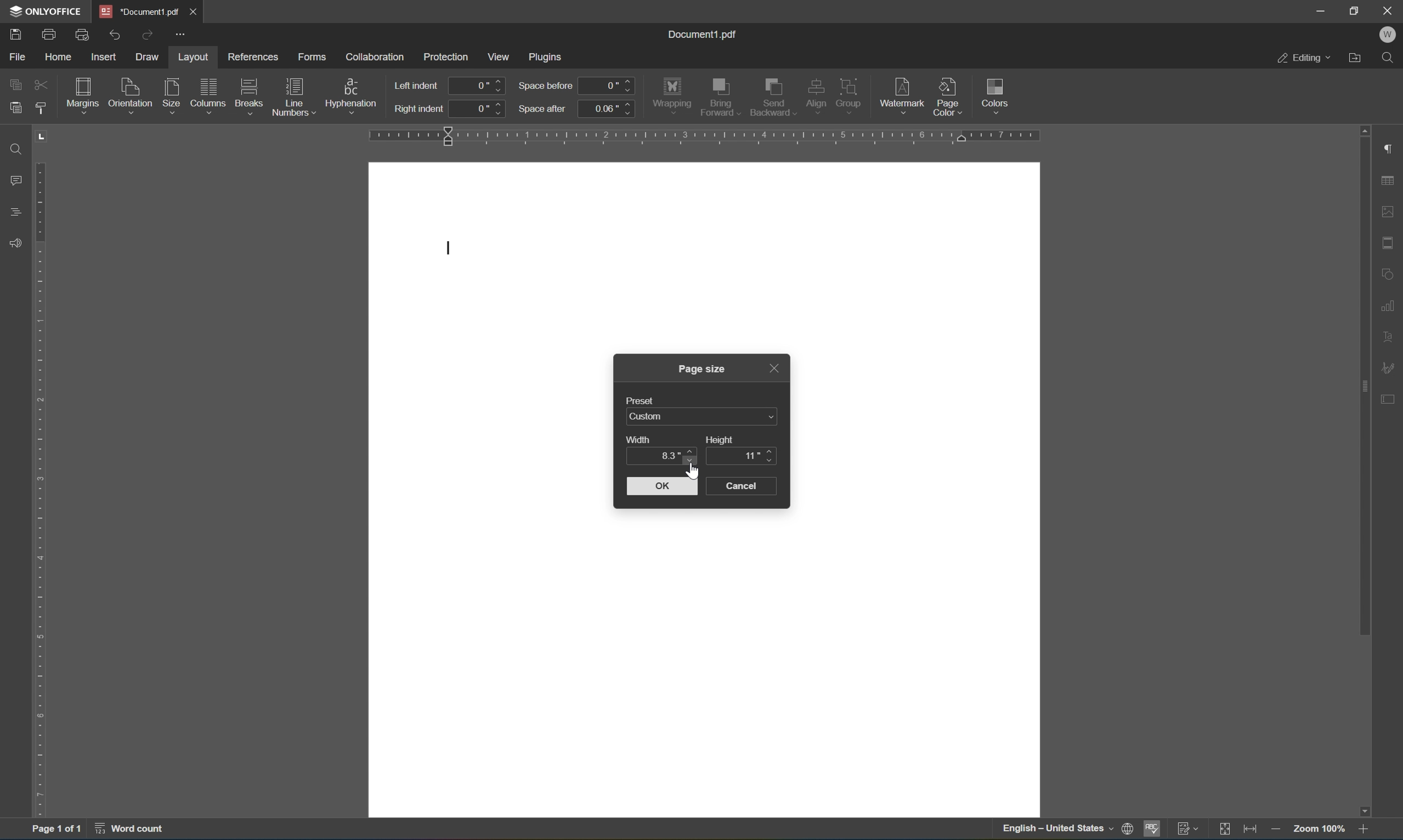 Image resolution: width=1403 pixels, height=840 pixels. What do you see at coordinates (491, 430) in the screenshot?
I see `workspace` at bounding box center [491, 430].